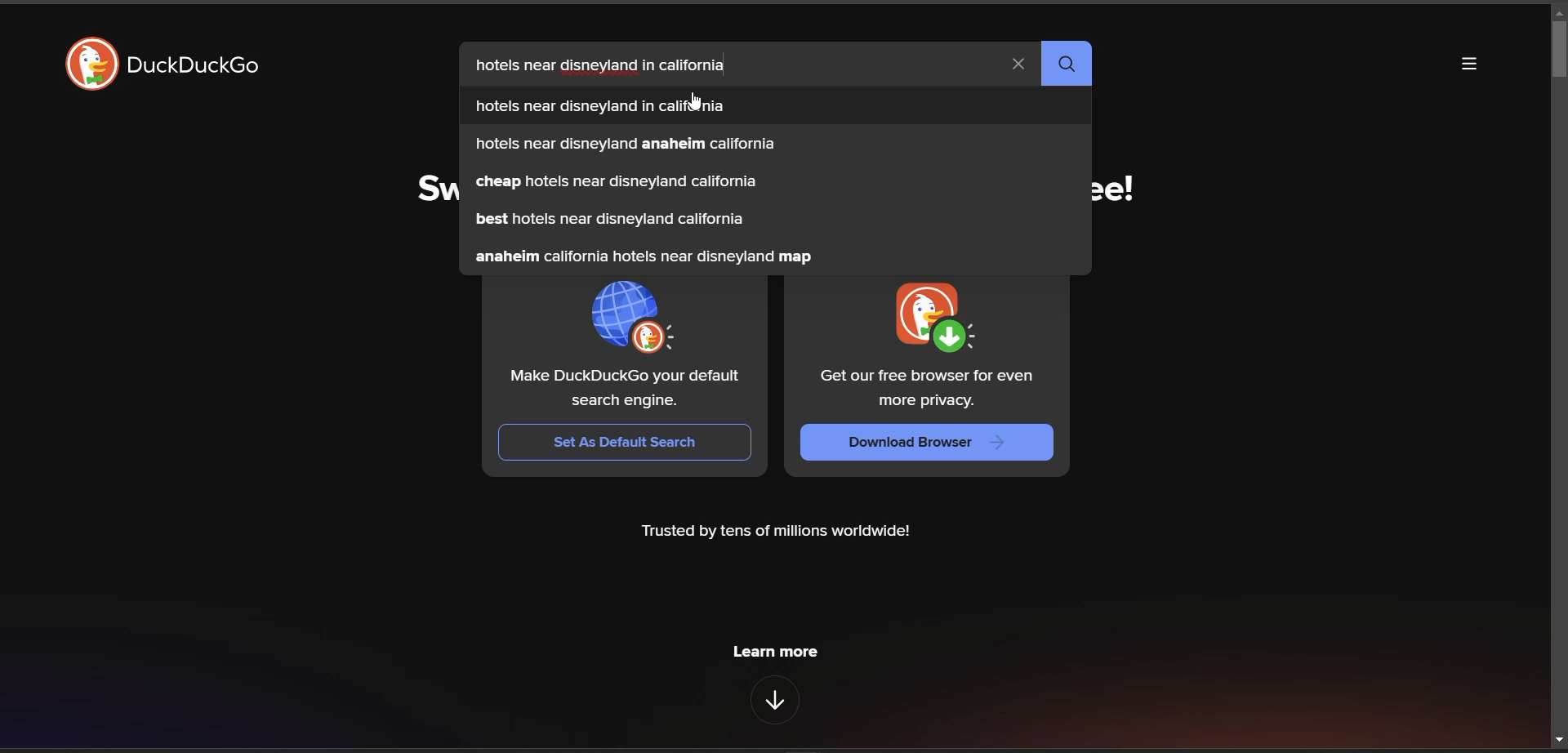 This screenshot has height=753, width=1568. Describe the element at coordinates (602, 106) in the screenshot. I see `` at that location.